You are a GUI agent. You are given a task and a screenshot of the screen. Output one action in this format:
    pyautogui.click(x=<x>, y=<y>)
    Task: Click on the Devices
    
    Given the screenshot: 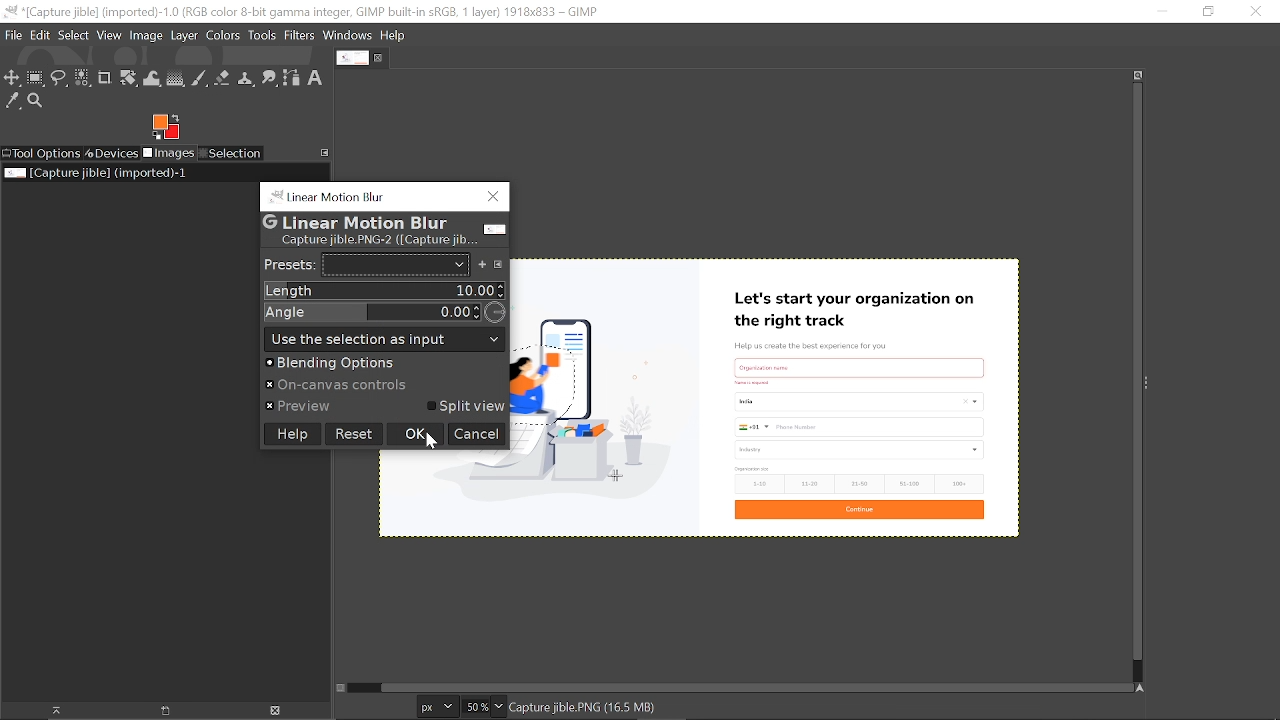 What is the action you would take?
    pyautogui.click(x=112, y=152)
    